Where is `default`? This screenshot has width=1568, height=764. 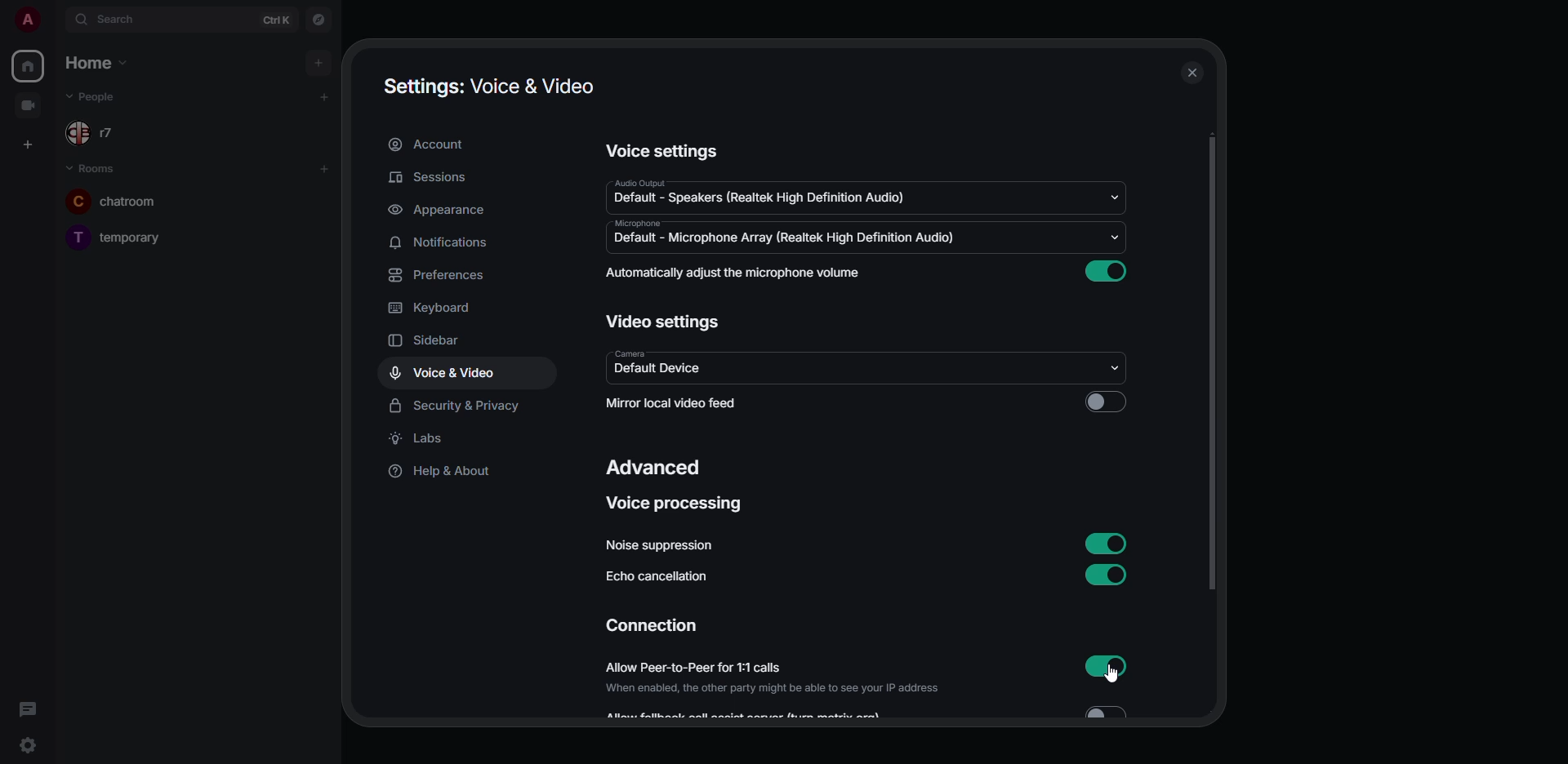 default is located at coordinates (770, 198).